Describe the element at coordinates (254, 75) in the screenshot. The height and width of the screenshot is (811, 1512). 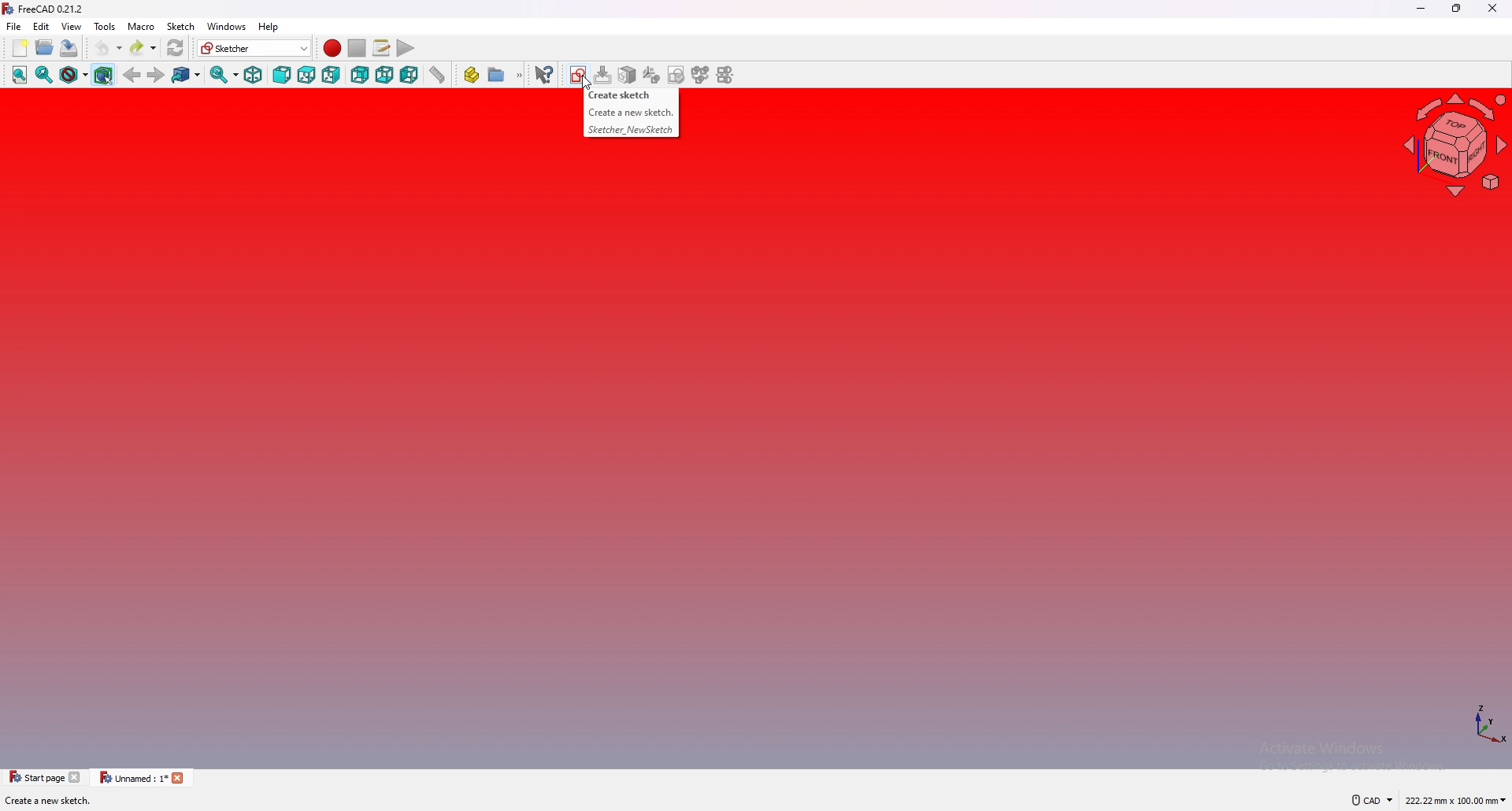
I see `isometric` at that location.